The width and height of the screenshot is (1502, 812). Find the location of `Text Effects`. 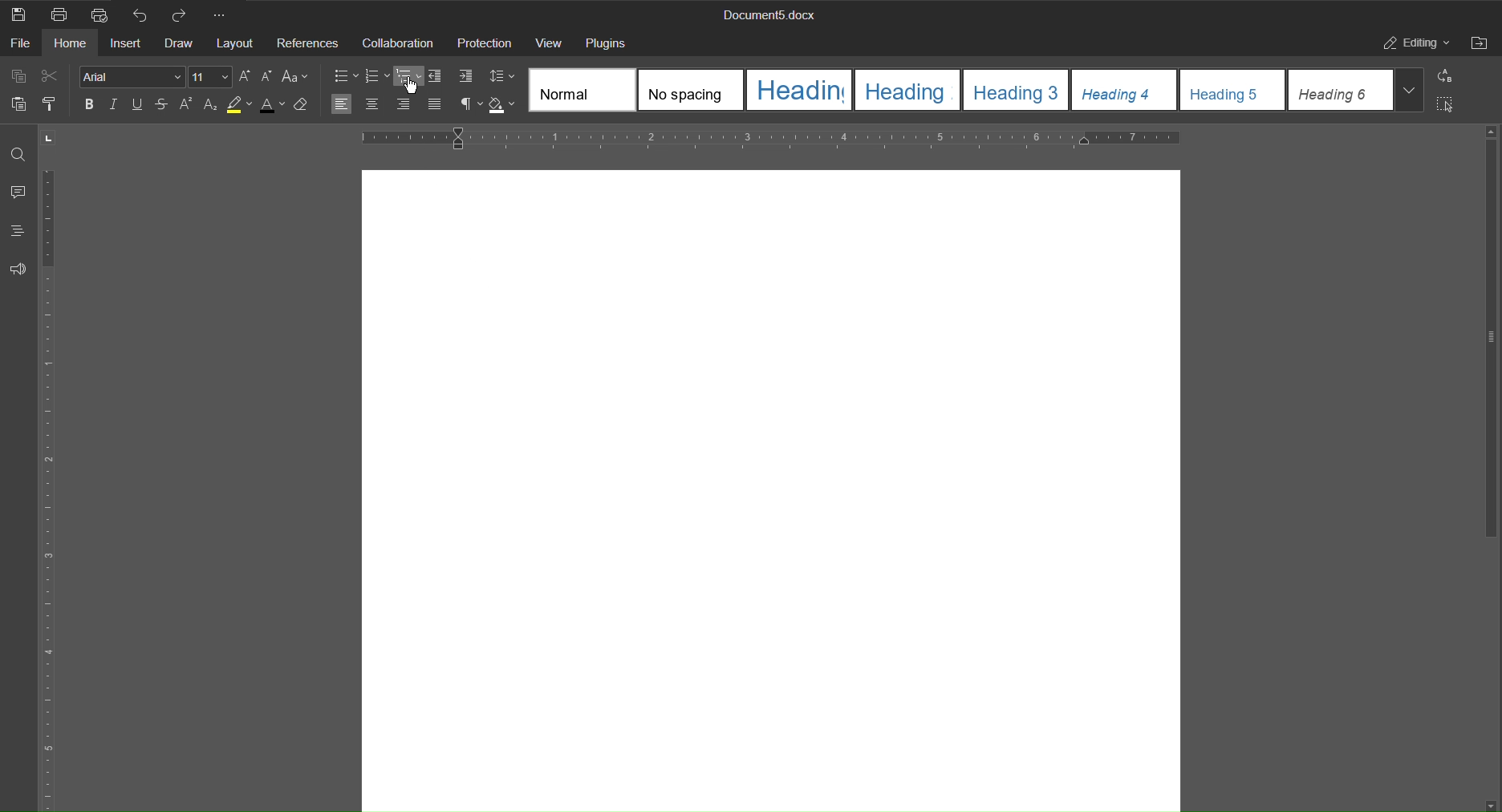

Text Effects is located at coordinates (127, 104).